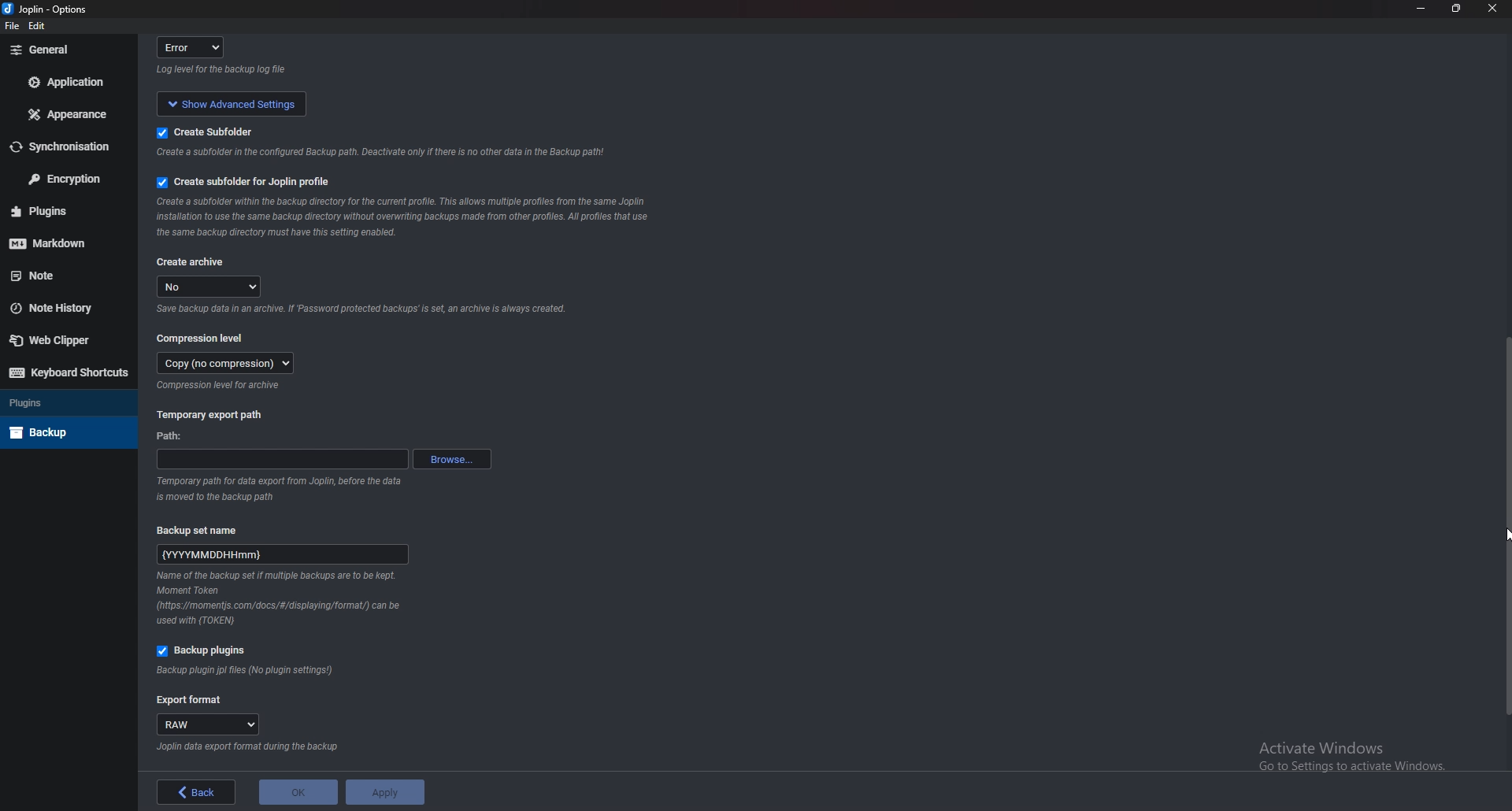  Describe the element at coordinates (247, 182) in the screenshot. I see `Create subfolder for Joplin profile` at that location.